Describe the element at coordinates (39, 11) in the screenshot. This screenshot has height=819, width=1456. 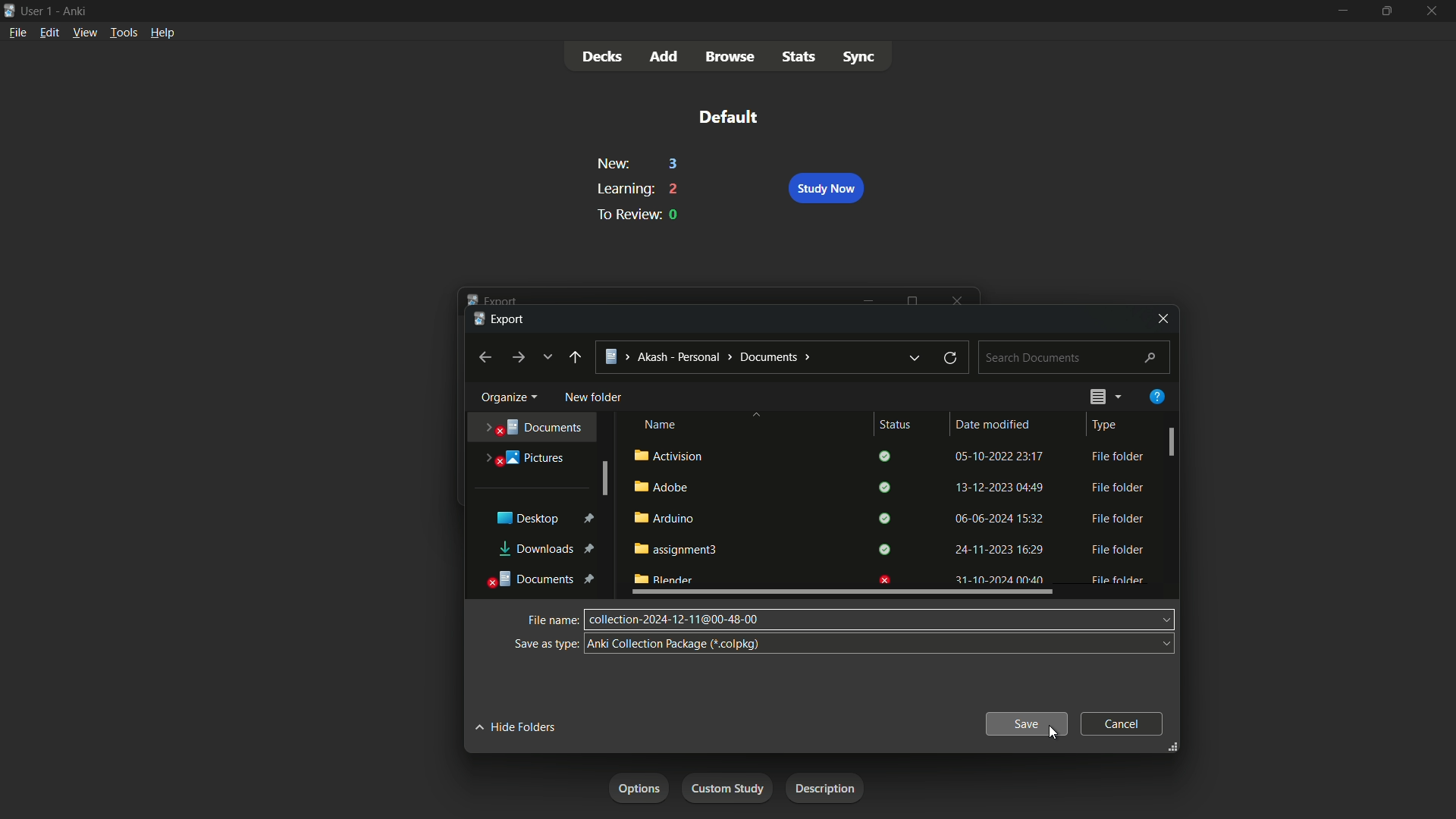
I see `user 1` at that location.